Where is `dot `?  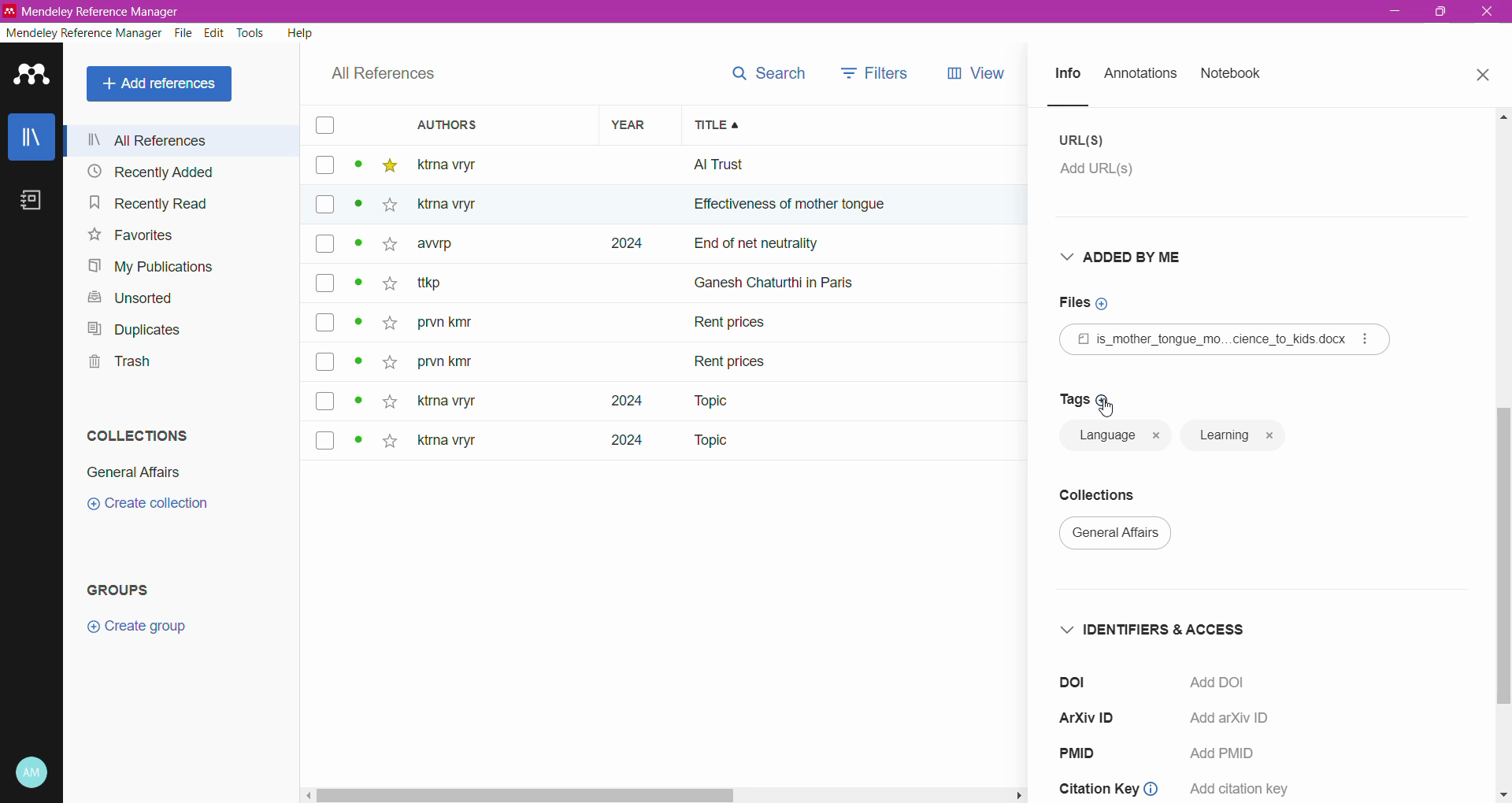
dot  is located at coordinates (357, 326).